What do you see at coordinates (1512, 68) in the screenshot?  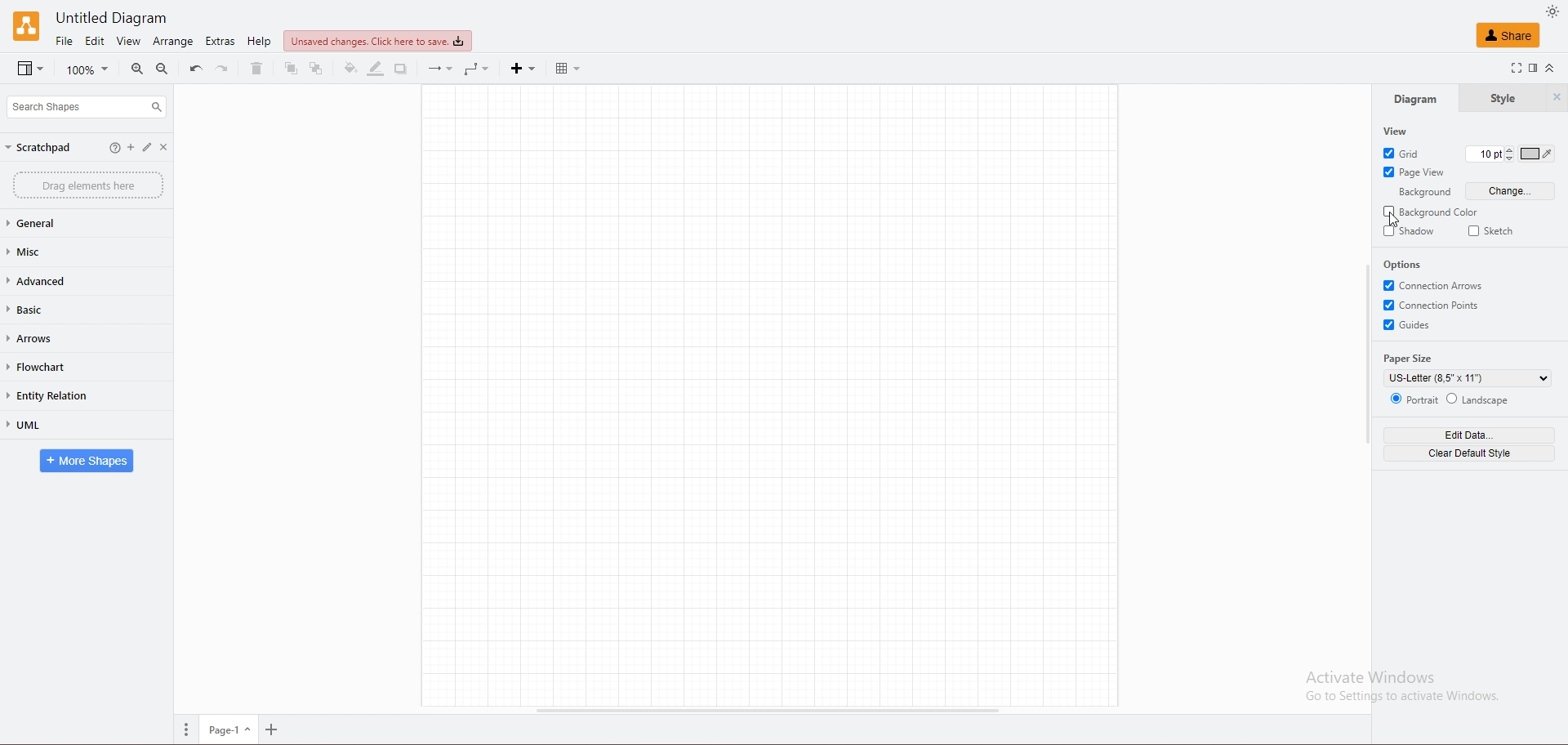 I see `full screen` at bounding box center [1512, 68].